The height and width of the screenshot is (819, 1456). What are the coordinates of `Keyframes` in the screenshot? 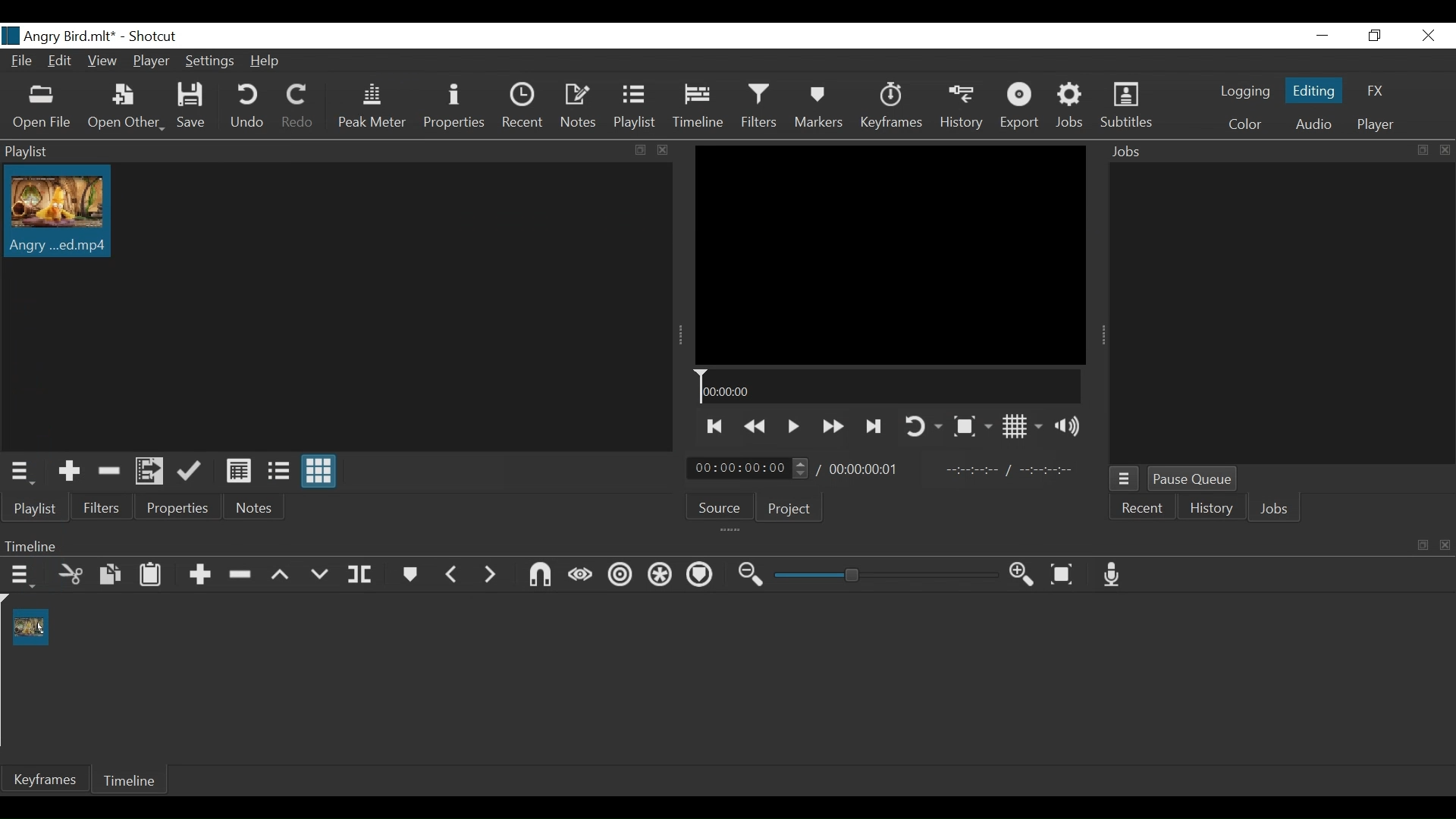 It's located at (891, 106).